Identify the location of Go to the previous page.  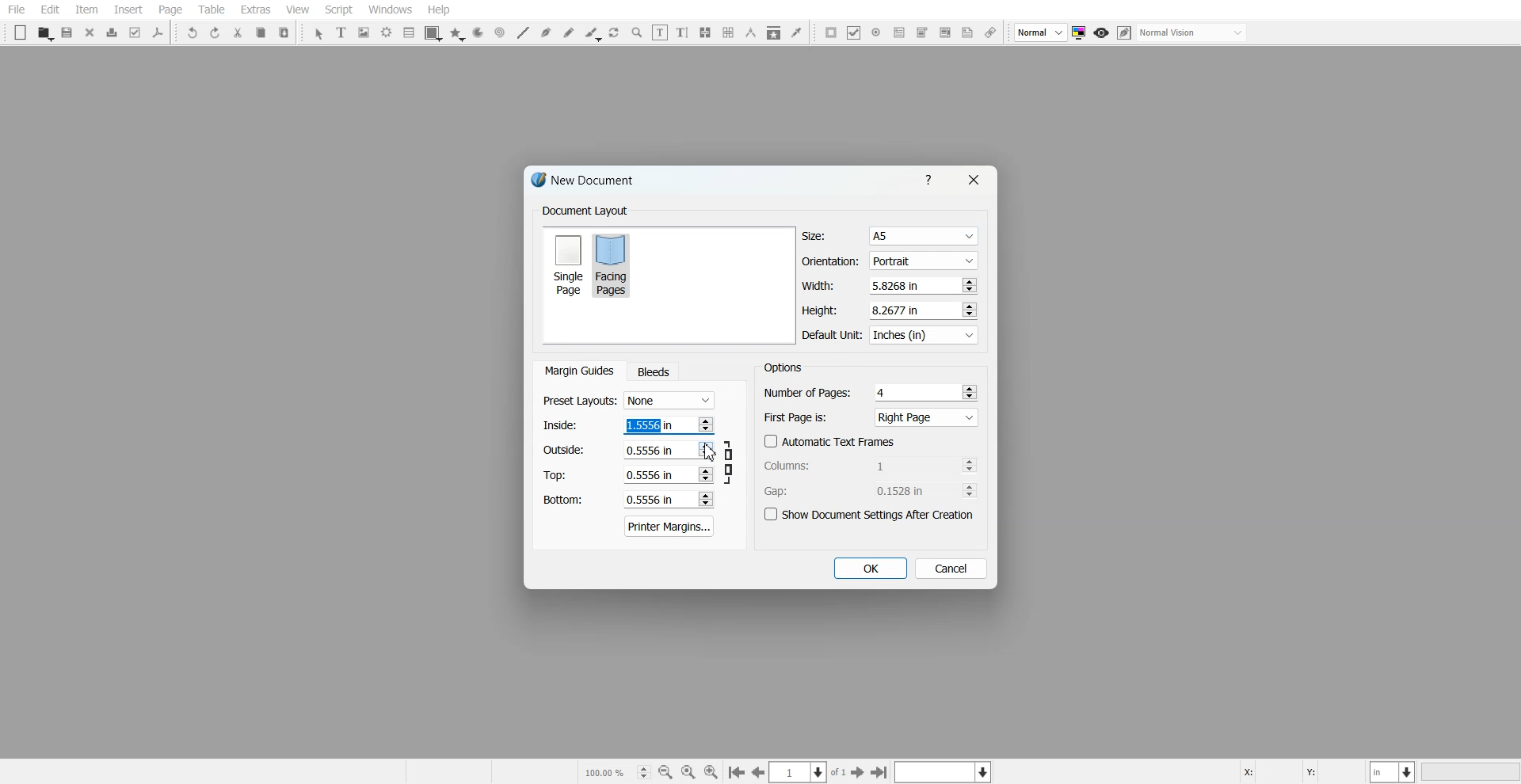
(758, 772).